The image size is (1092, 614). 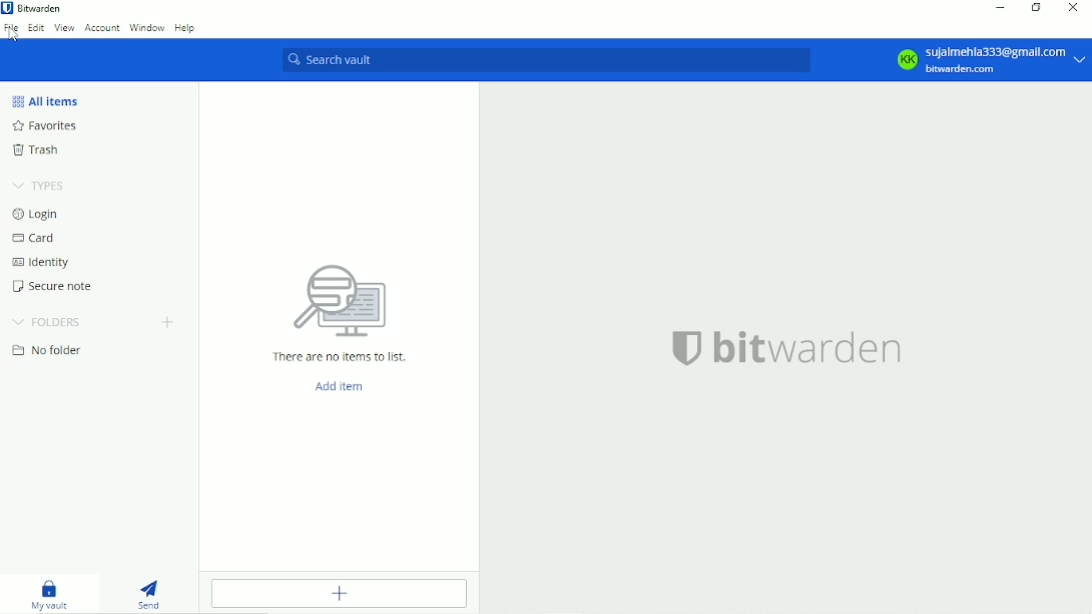 I want to click on Search vault, so click(x=543, y=60).